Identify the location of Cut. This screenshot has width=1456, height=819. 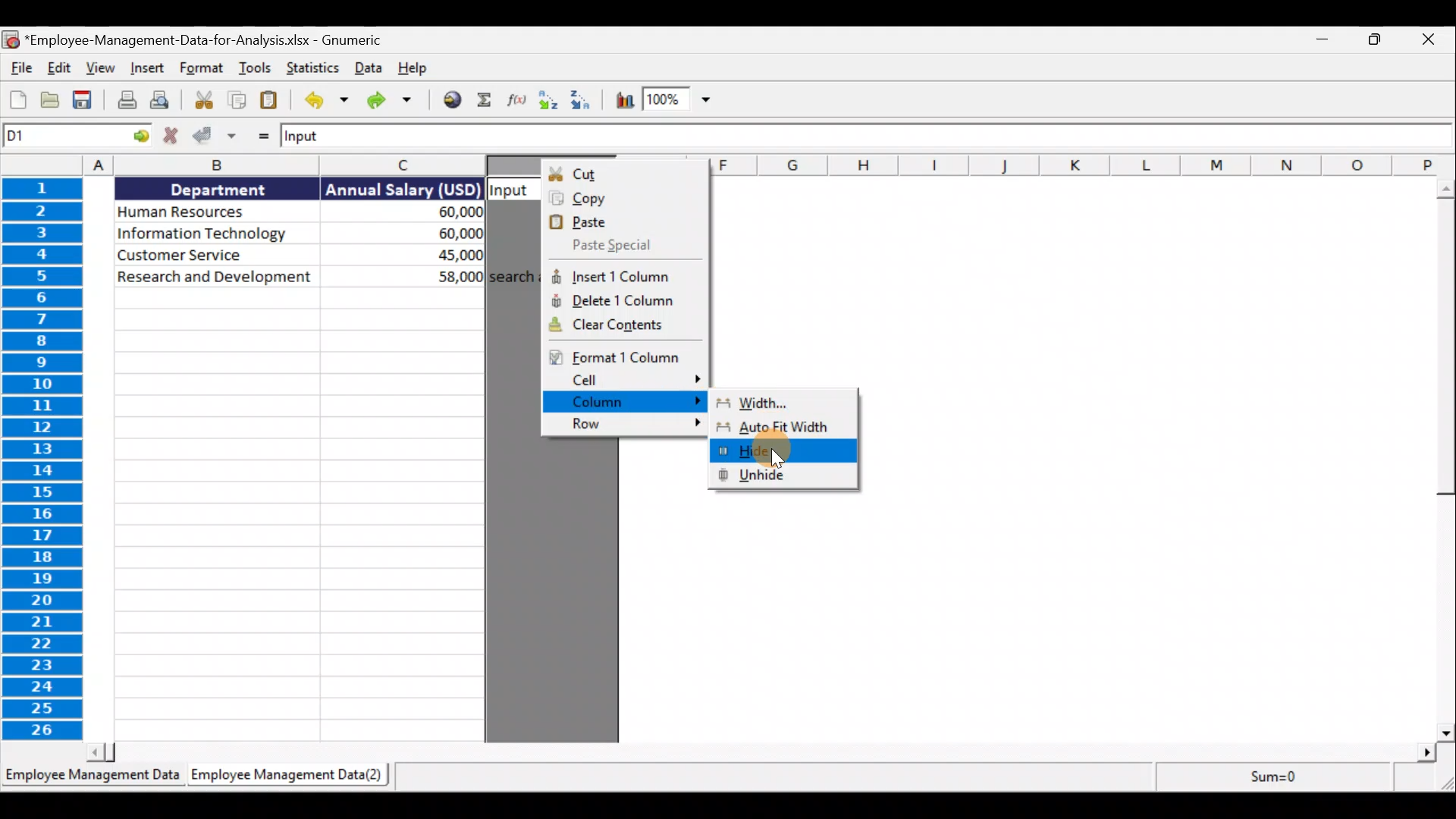
(625, 174).